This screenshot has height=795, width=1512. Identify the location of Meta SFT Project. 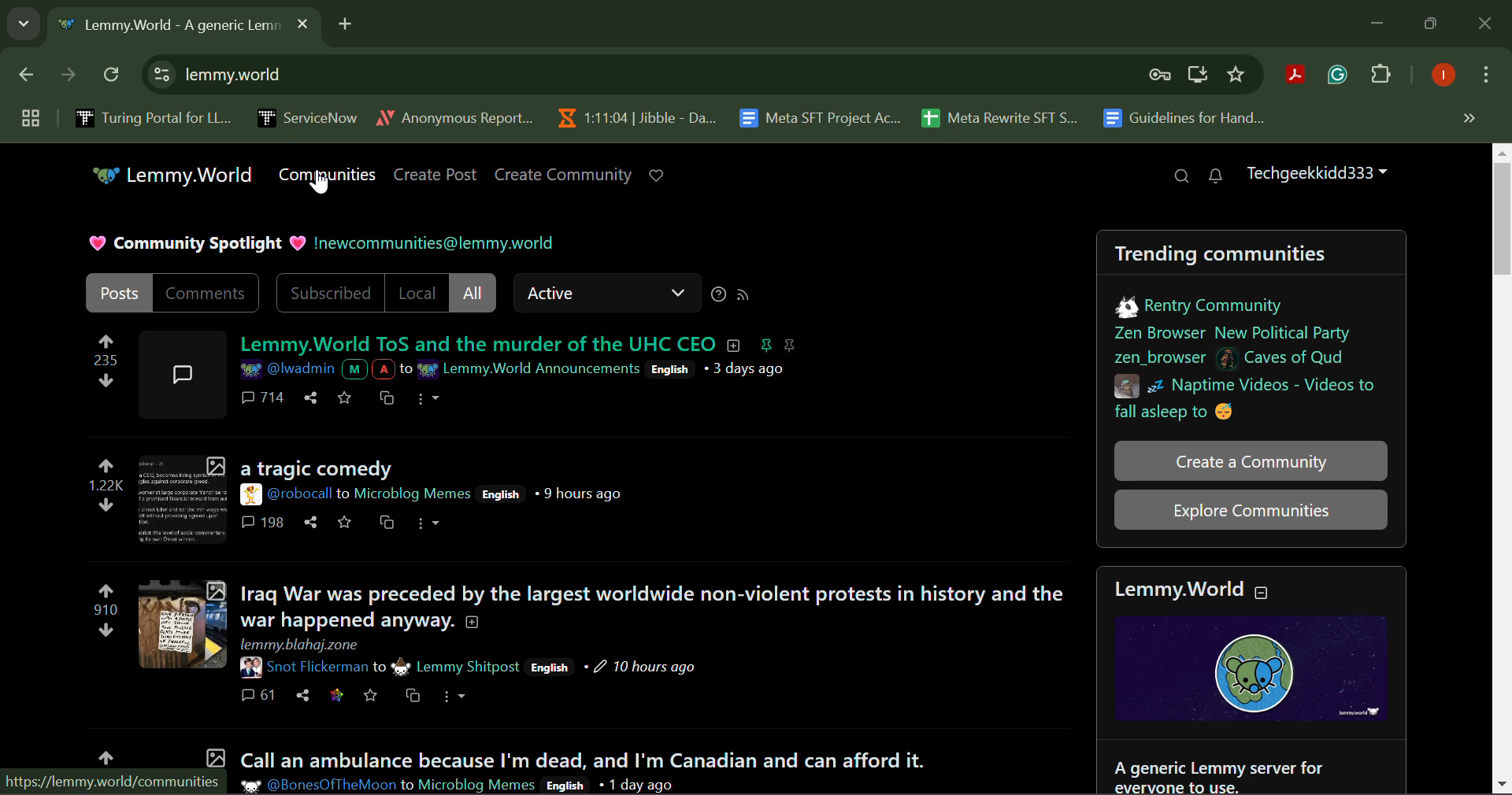
(822, 116).